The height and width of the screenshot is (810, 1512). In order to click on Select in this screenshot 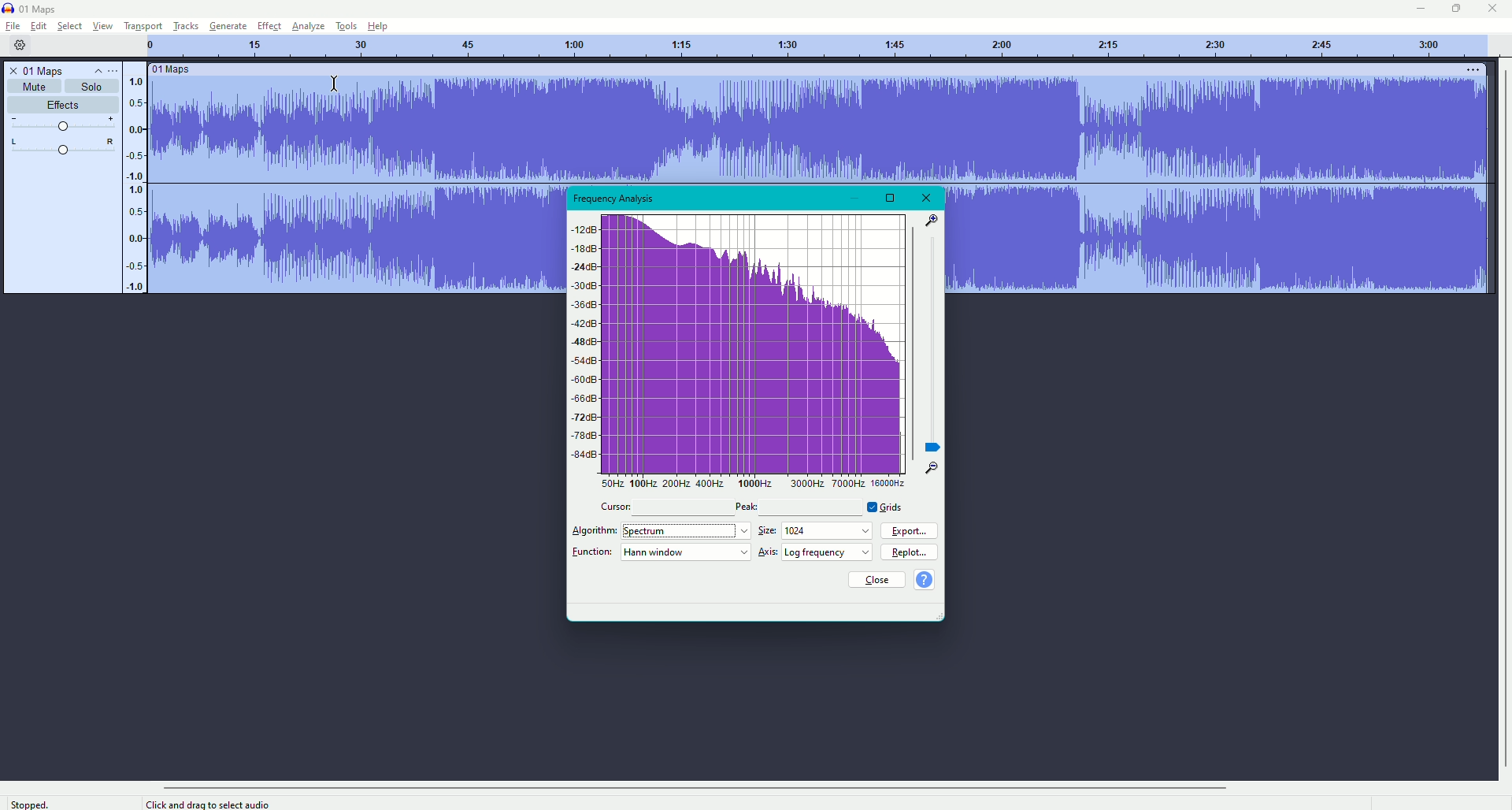, I will do `click(66, 26)`.